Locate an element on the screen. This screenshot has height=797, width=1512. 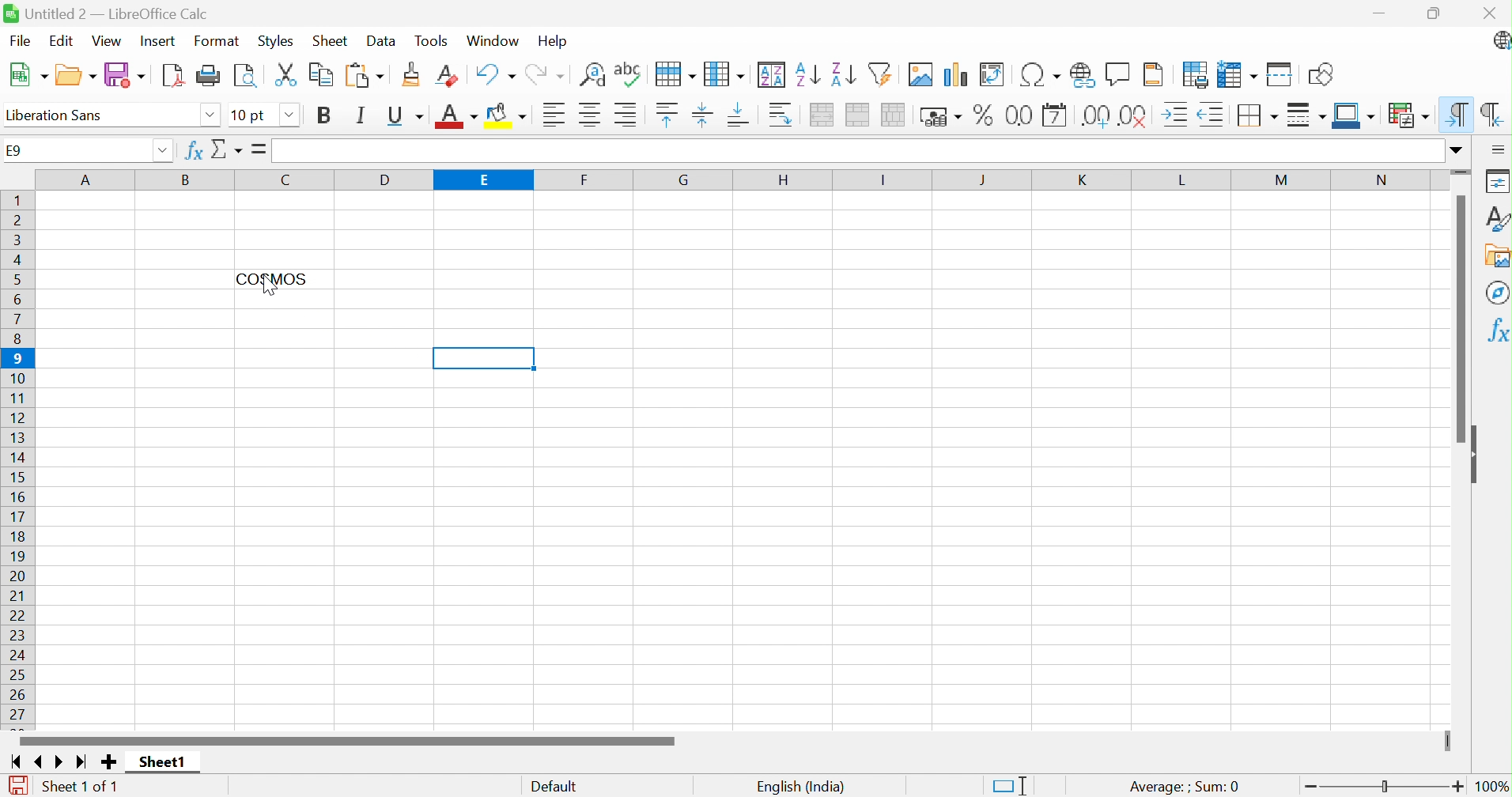
Undo is located at coordinates (494, 74).